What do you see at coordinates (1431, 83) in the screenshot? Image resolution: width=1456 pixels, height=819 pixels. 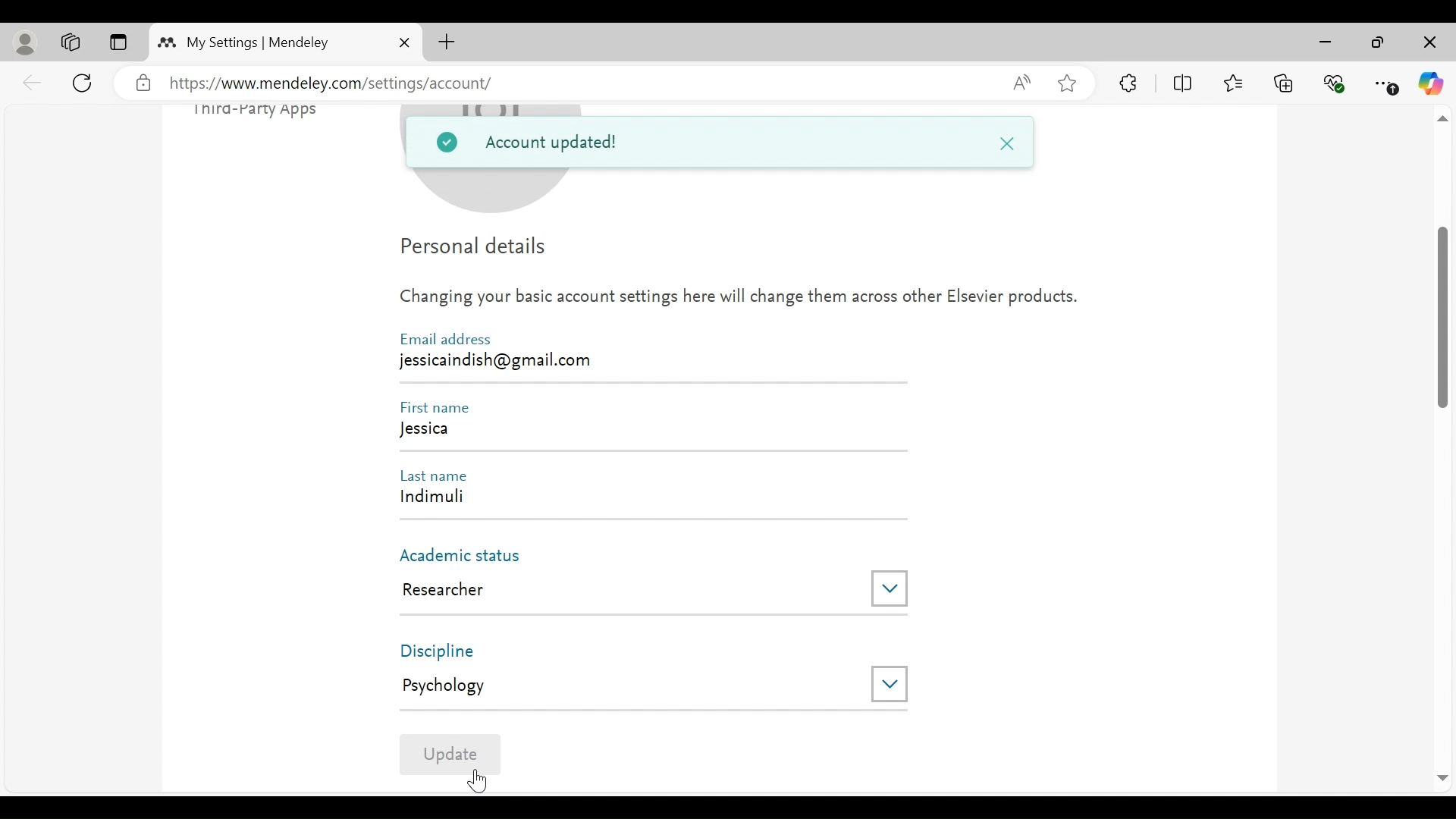 I see `Copilot` at bounding box center [1431, 83].